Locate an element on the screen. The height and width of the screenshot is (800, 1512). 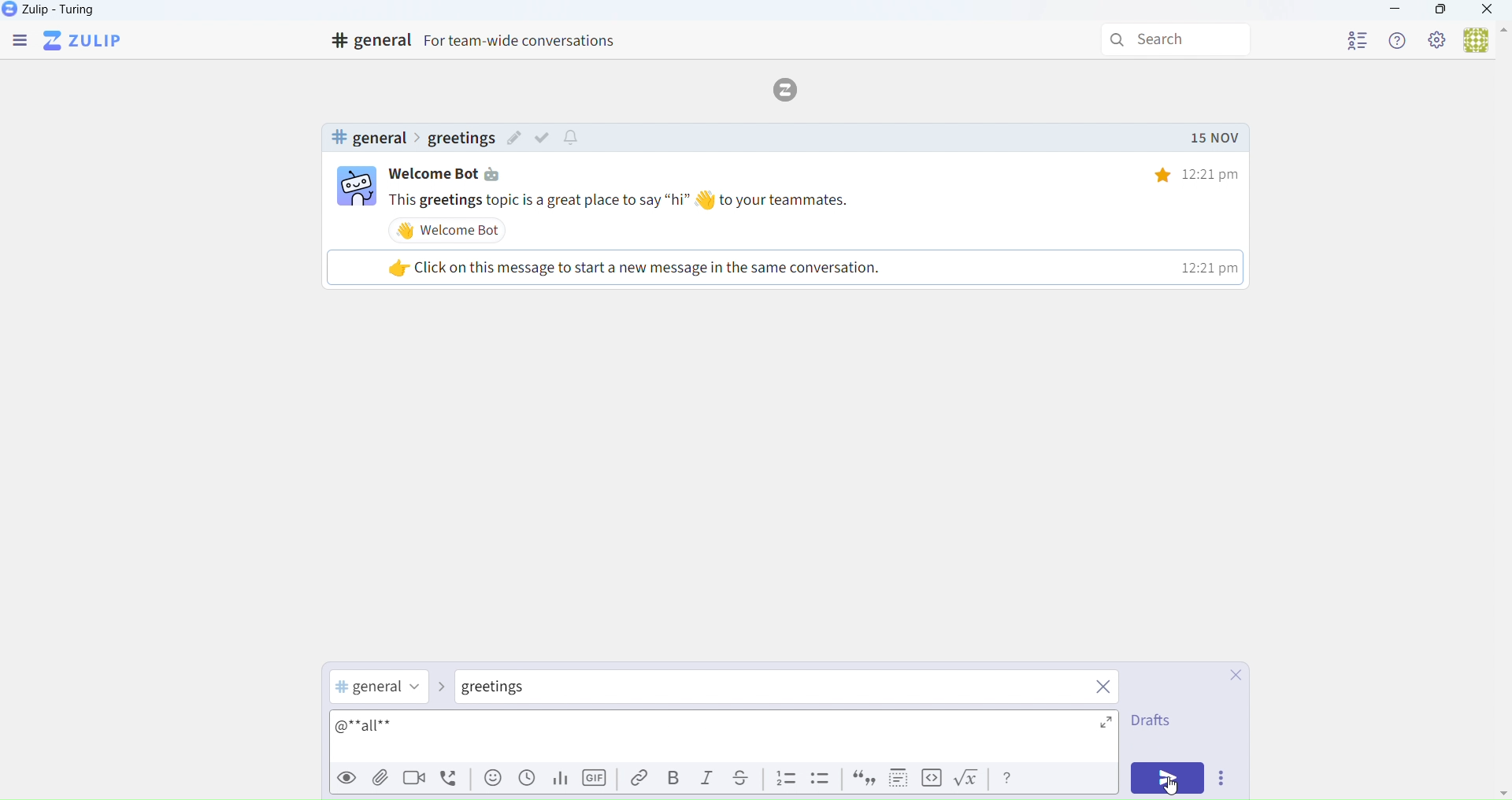
VideoCall is located at coordinates (417, 780).